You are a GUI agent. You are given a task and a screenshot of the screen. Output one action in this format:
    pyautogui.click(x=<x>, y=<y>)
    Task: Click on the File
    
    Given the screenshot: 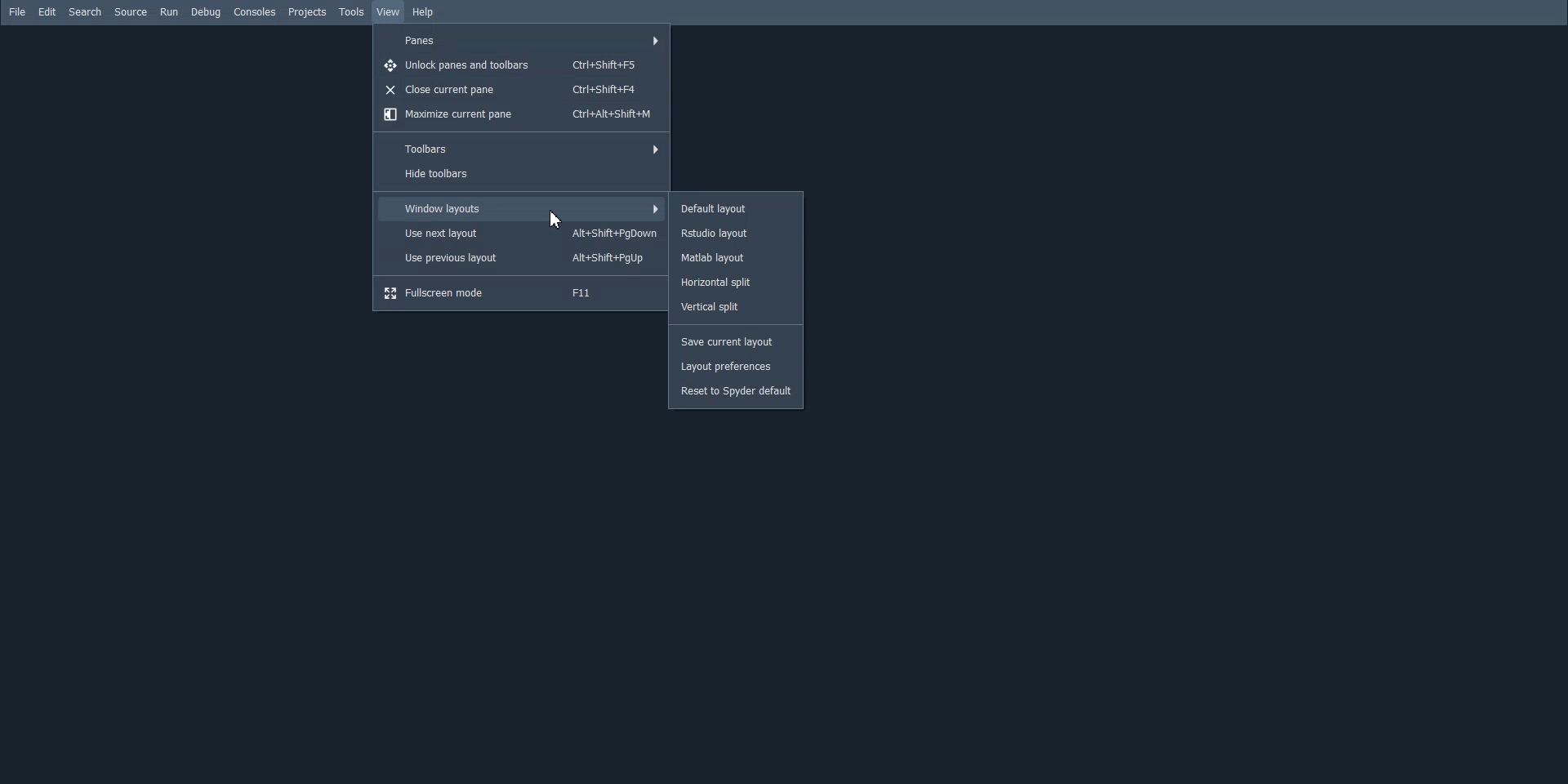 What is the action you would take?
    pyautogui.click(x=17, y=11)
    